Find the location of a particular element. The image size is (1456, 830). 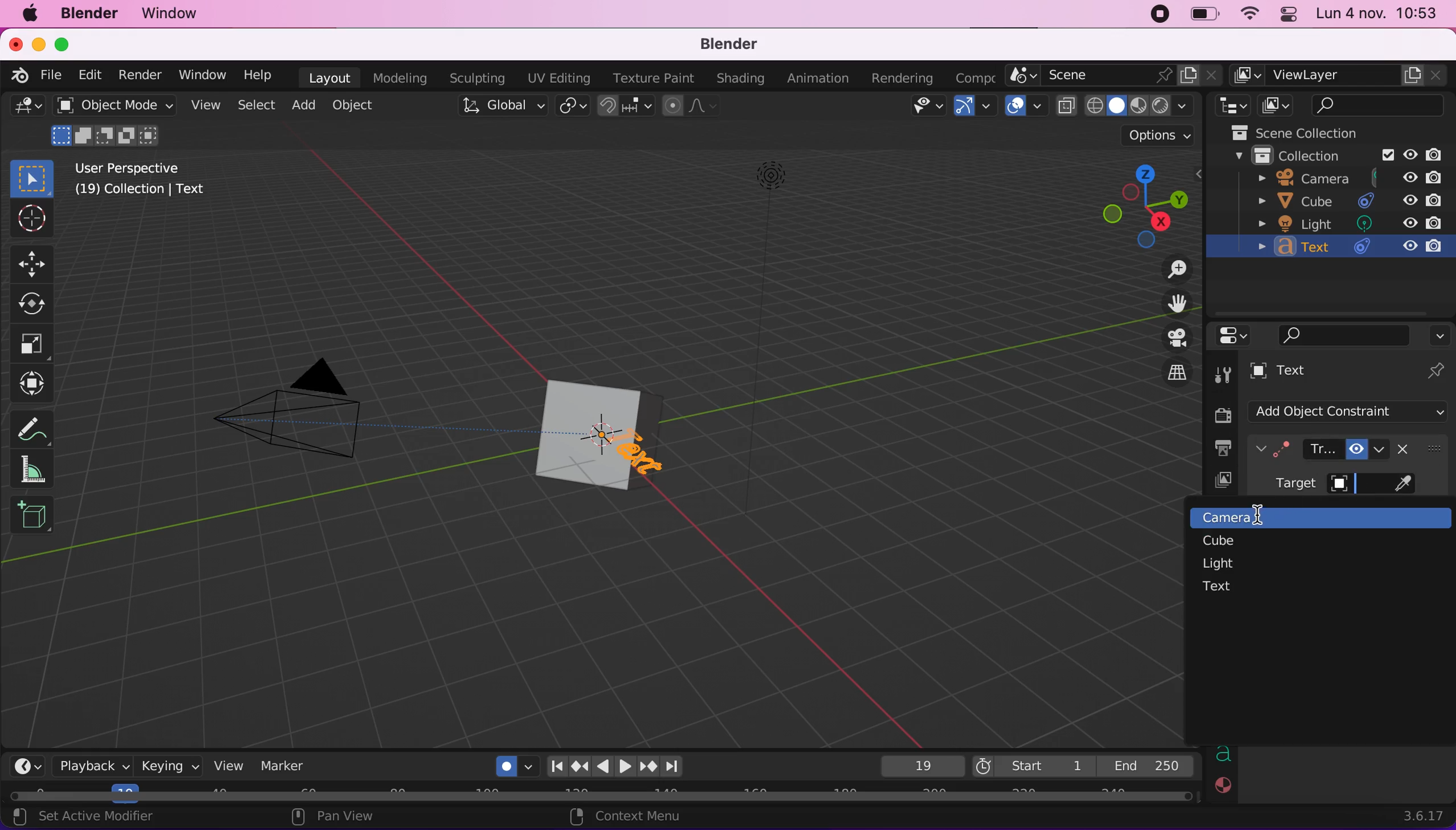

text is located at coordinates (1223, 753).